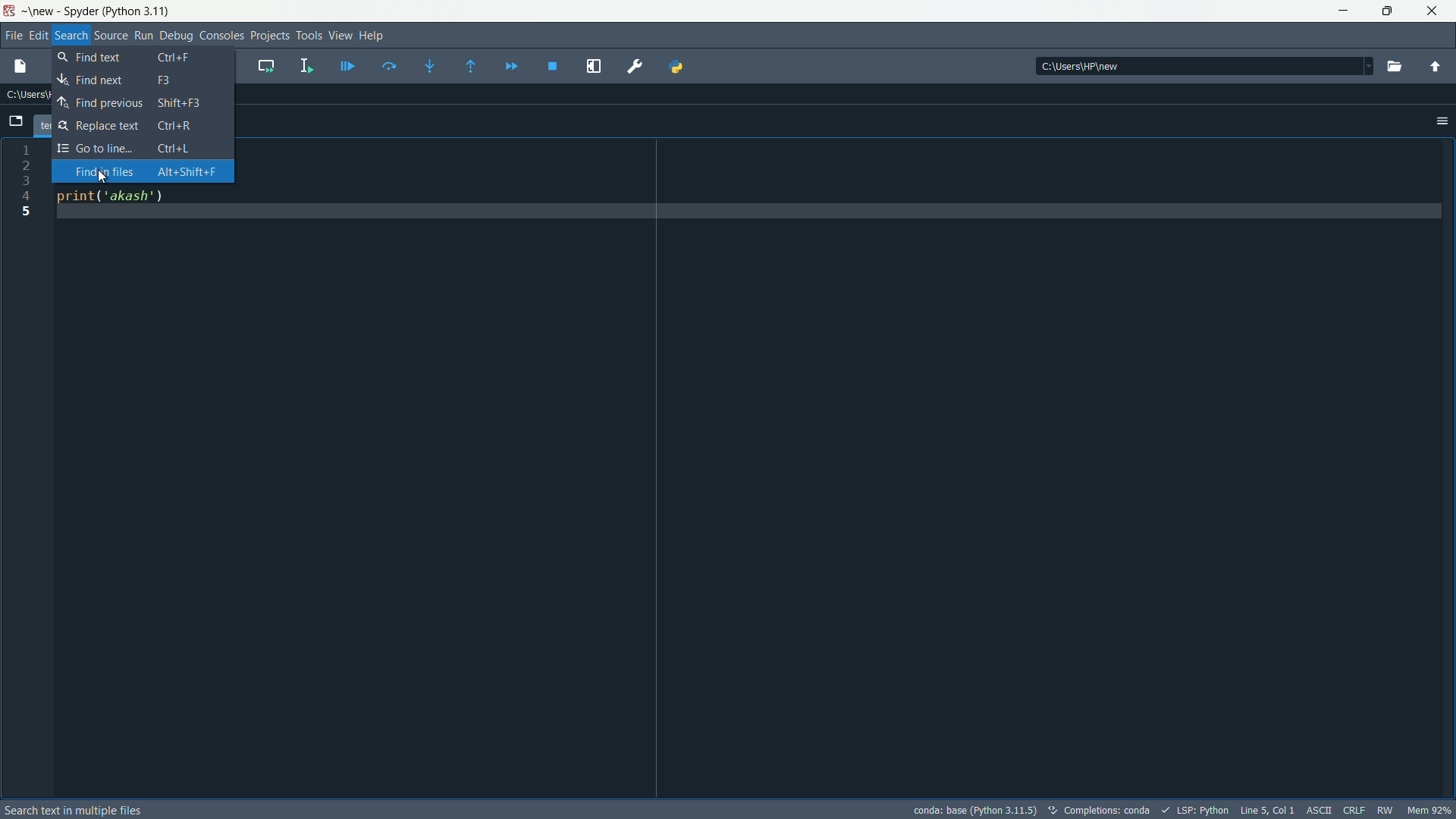  Describe the element at coordinates (31, 469) in the screenshot. I see `line numbers` at that location.